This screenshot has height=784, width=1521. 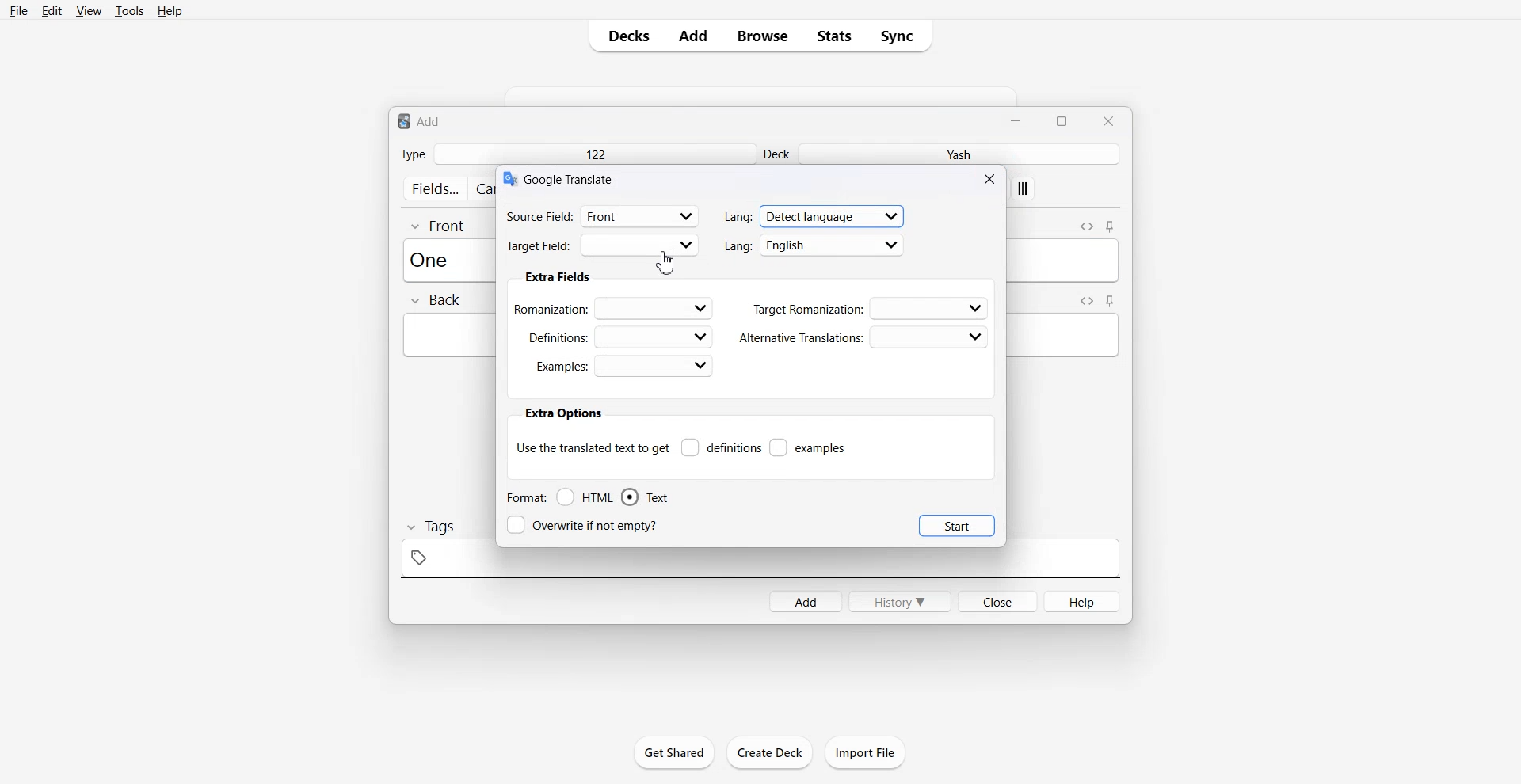 I want to click on Add, so click(x=693, y=36).